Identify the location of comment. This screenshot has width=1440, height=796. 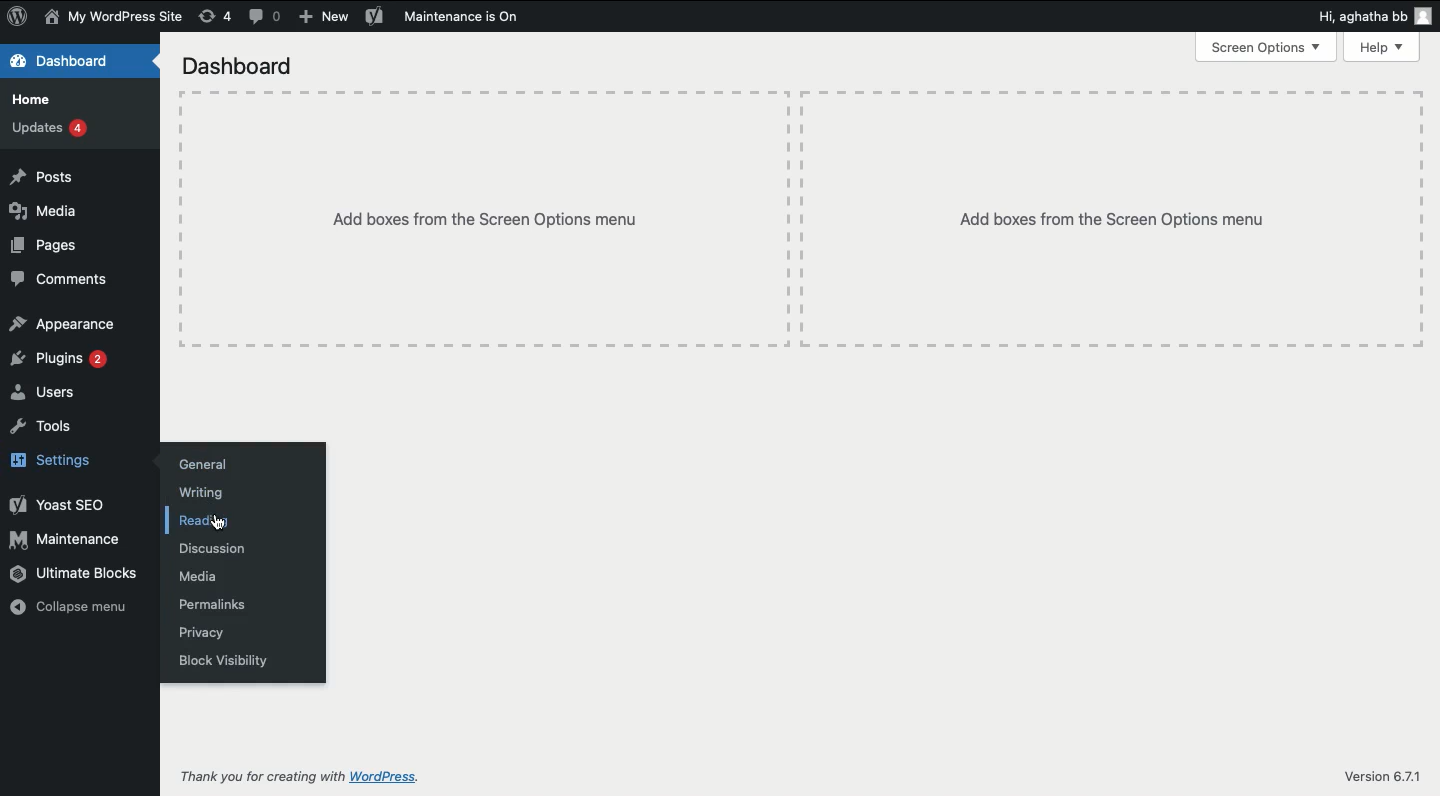
(269, 18).